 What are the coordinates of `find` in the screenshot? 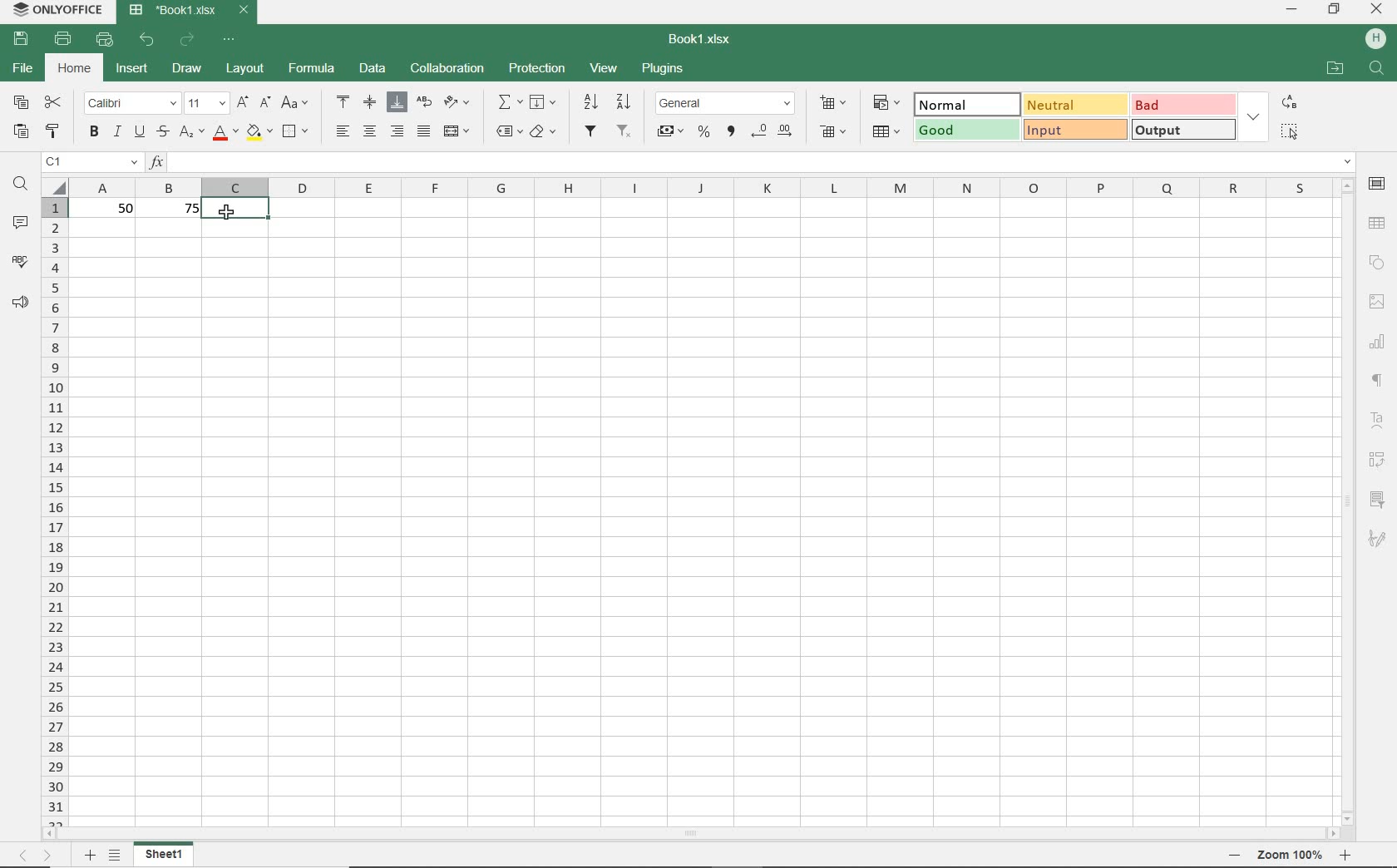 It's located at (20, 186).